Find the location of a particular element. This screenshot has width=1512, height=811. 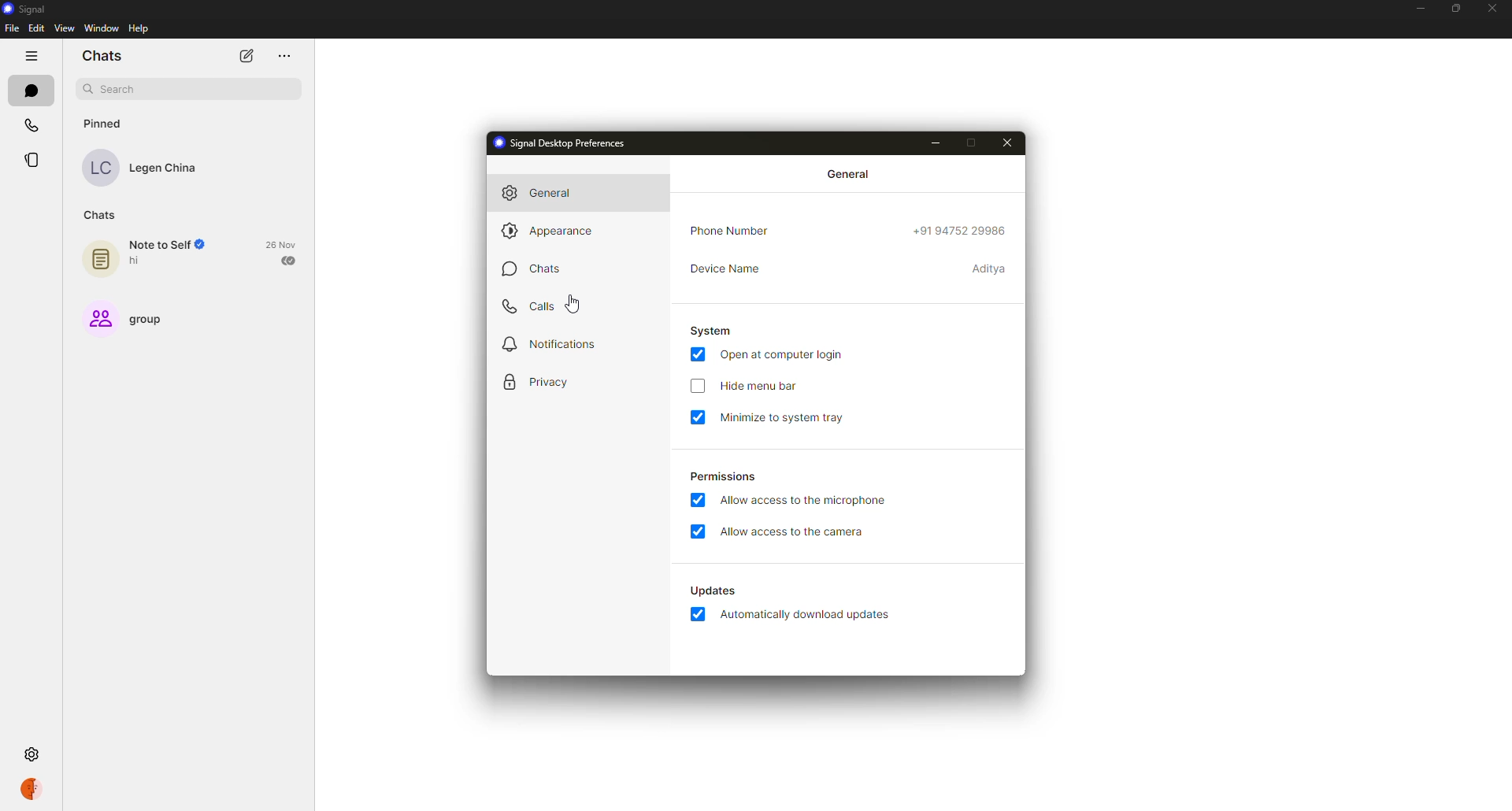

chats is located at coordinates (529, 269).